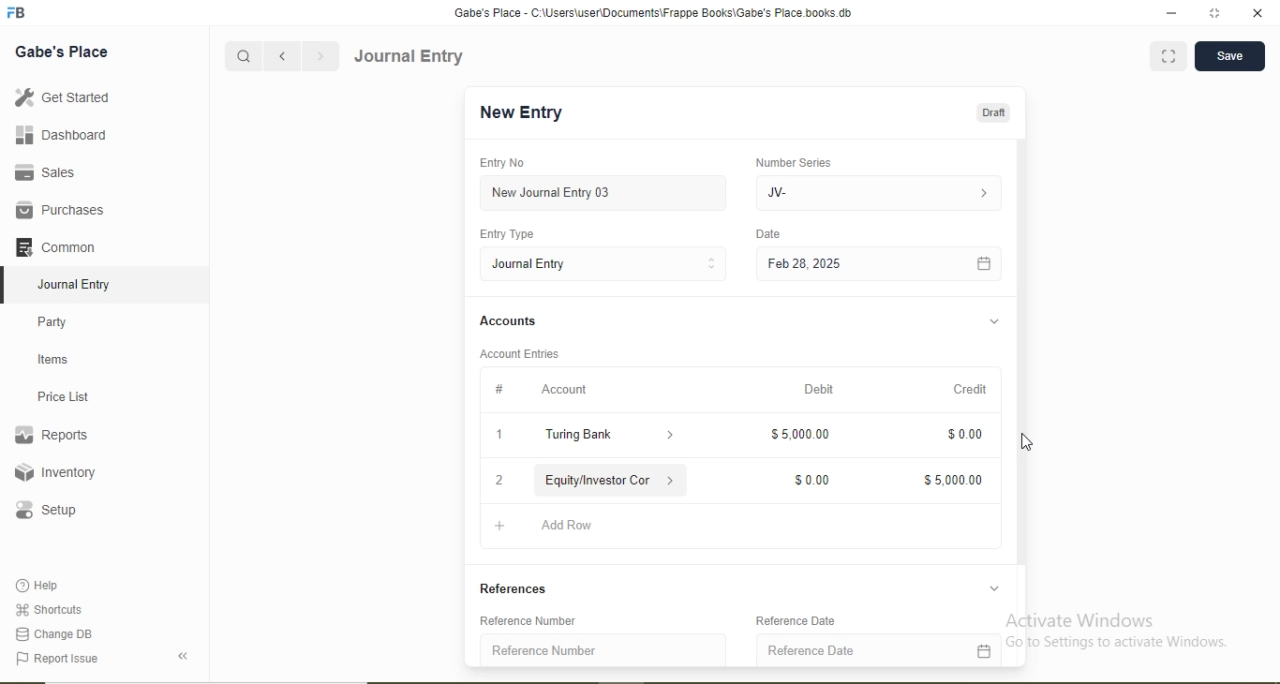  I want to click on $0.00, so click(813, 481).